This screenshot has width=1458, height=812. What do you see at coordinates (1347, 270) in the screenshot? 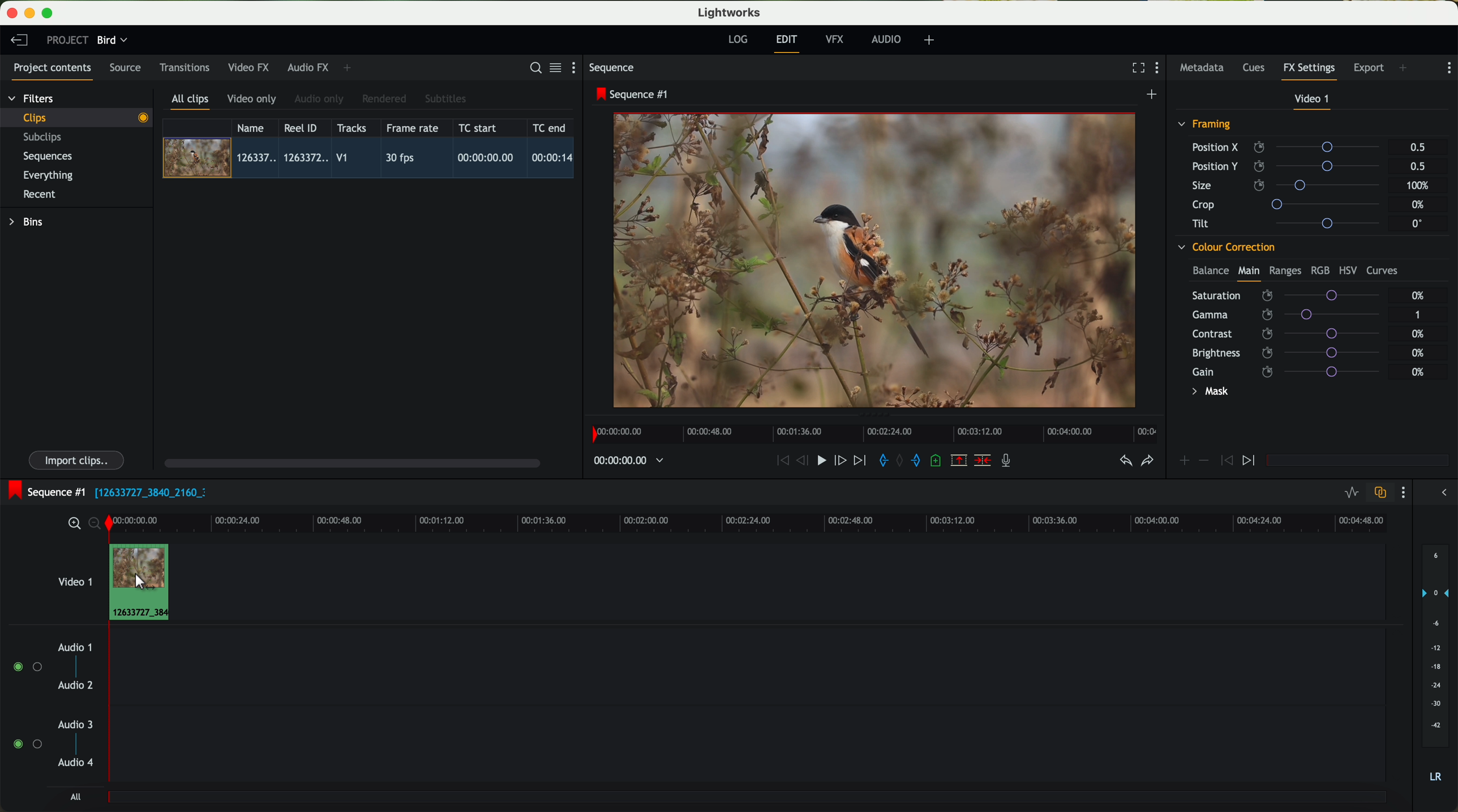
I see `HSV` at bounding box center [1347, 270].